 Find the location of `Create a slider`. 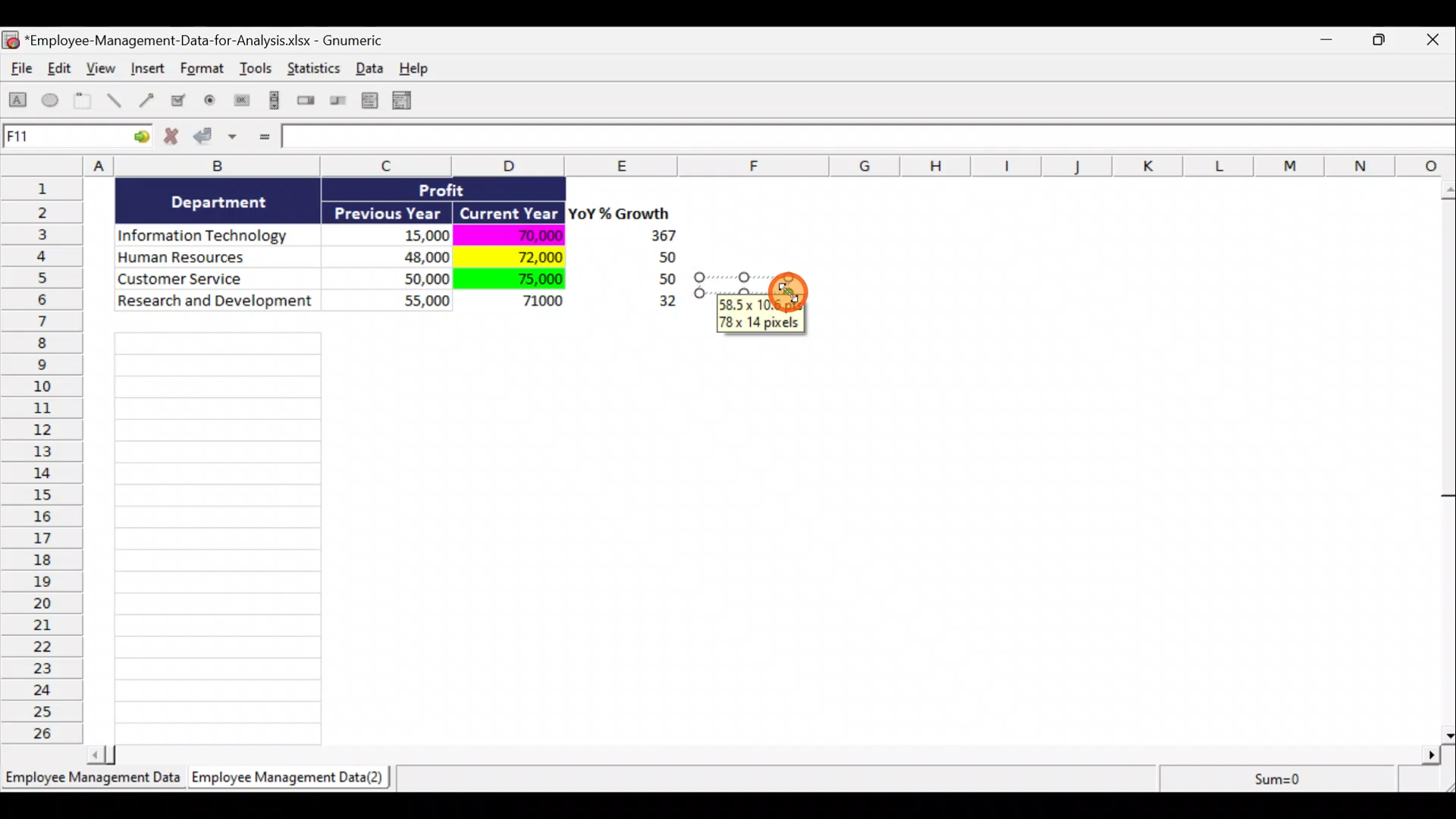

Create a slider is located at coordinates (336, 103).